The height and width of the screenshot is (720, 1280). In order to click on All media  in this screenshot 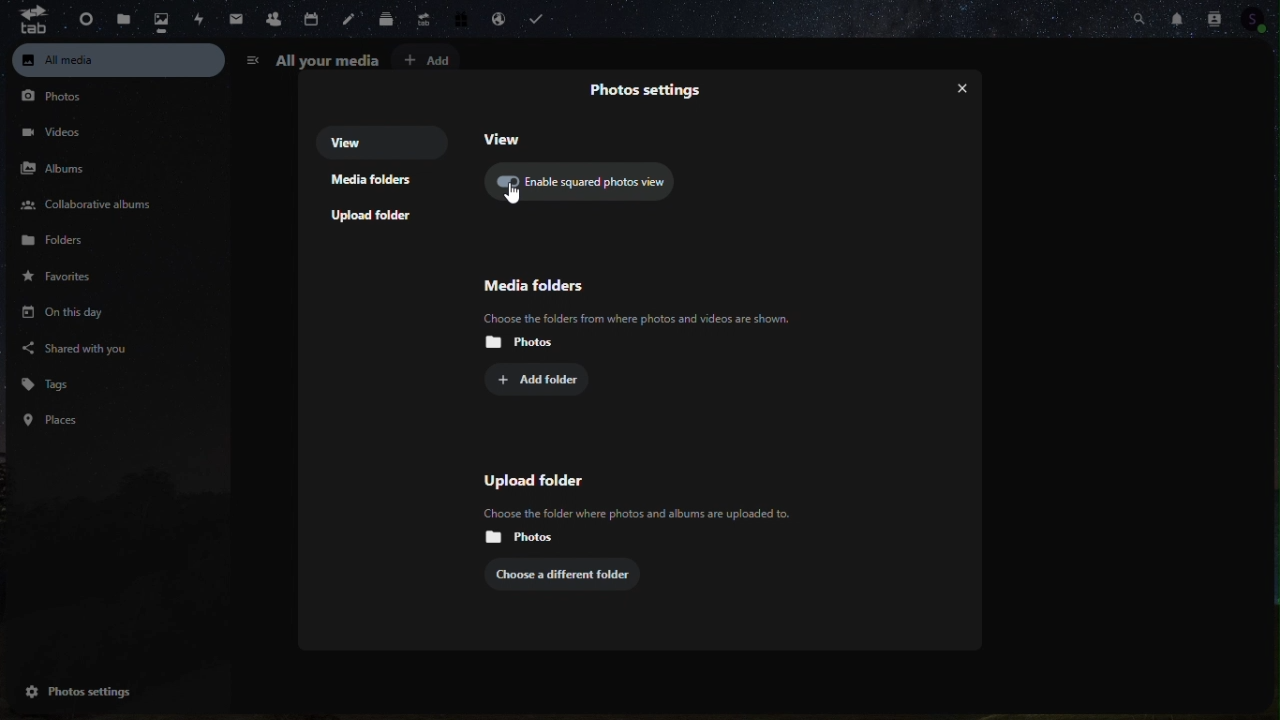, I will do `click(118, 60)`.